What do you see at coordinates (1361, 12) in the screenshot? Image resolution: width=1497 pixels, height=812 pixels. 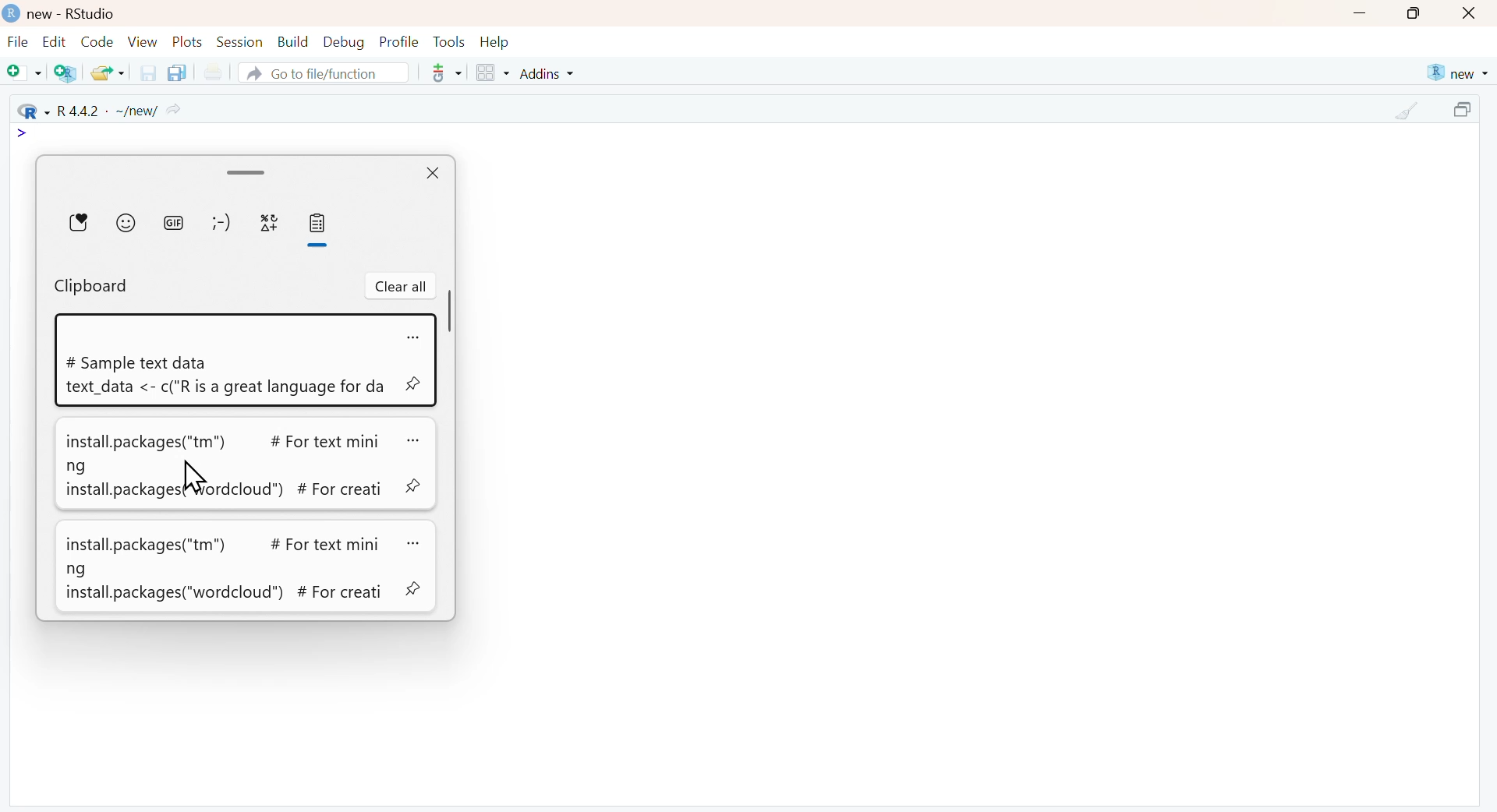 I see `minimize` at bounding box center [1361, 12].